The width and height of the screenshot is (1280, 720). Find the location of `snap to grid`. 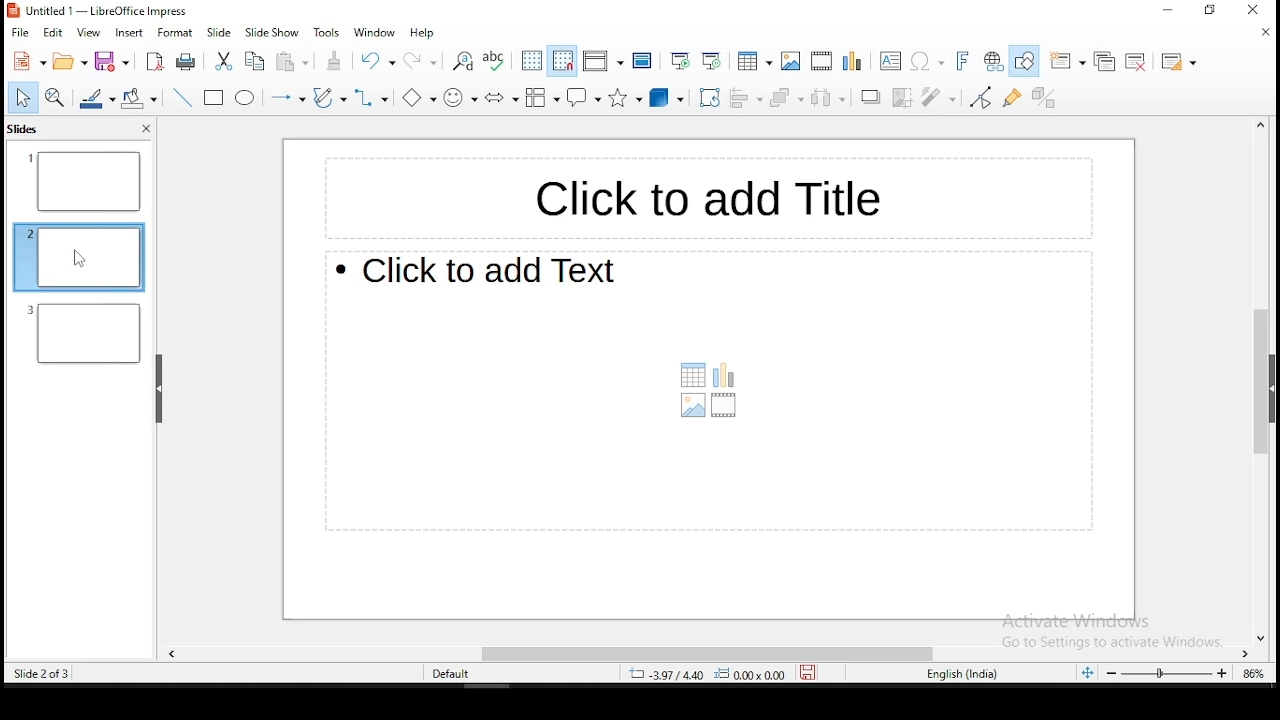

snap to grid is located at coordinates (560, 62).